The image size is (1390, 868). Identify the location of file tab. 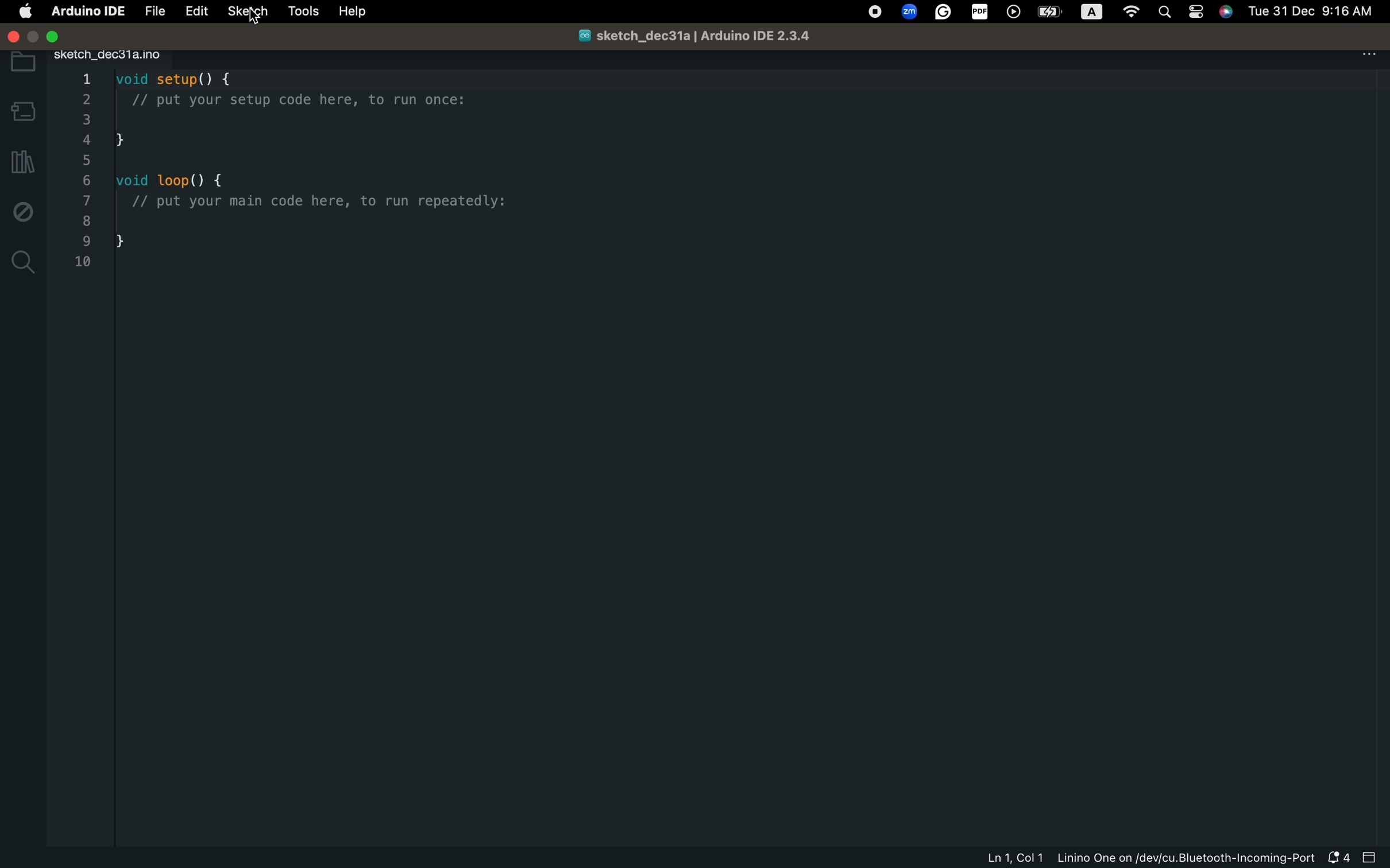
(132, 57).